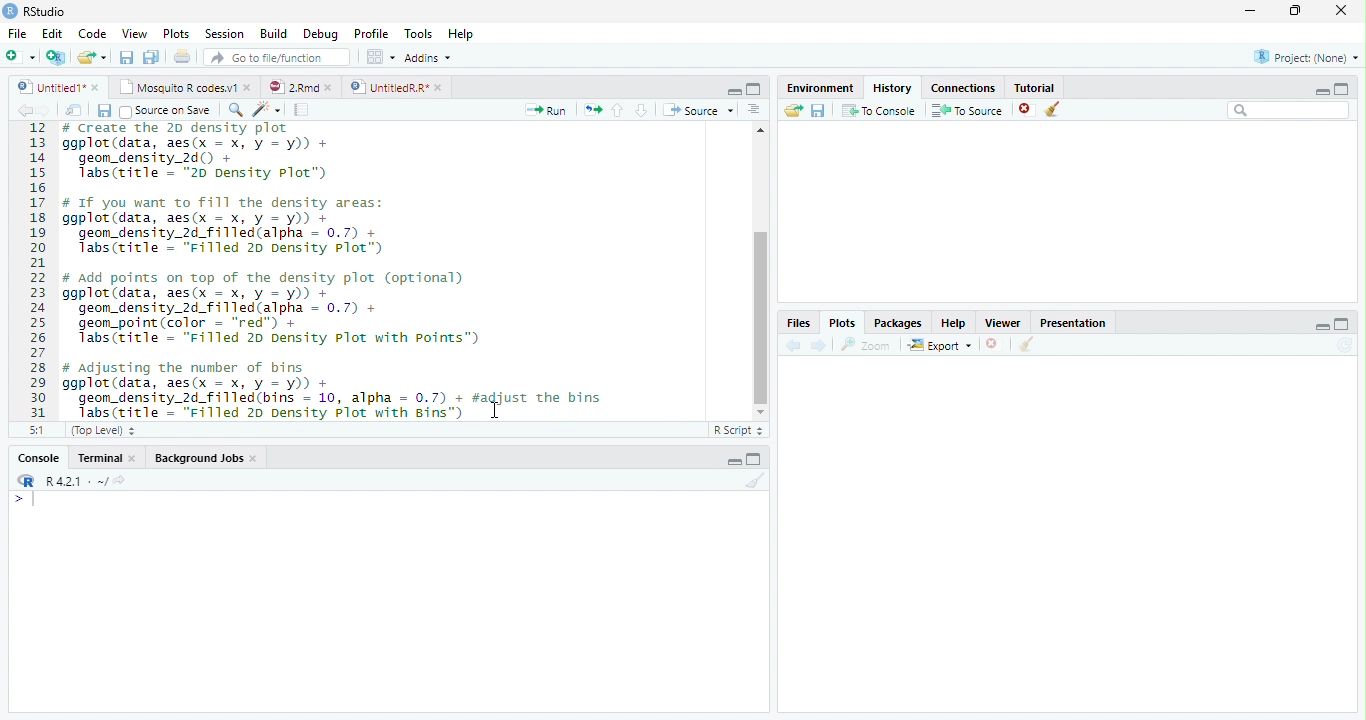 This screenshot has width=1366, height=720. What do you see at coordinates (968, 111) in the screenshot?
I see `To source` at bounding box center [968, 111].